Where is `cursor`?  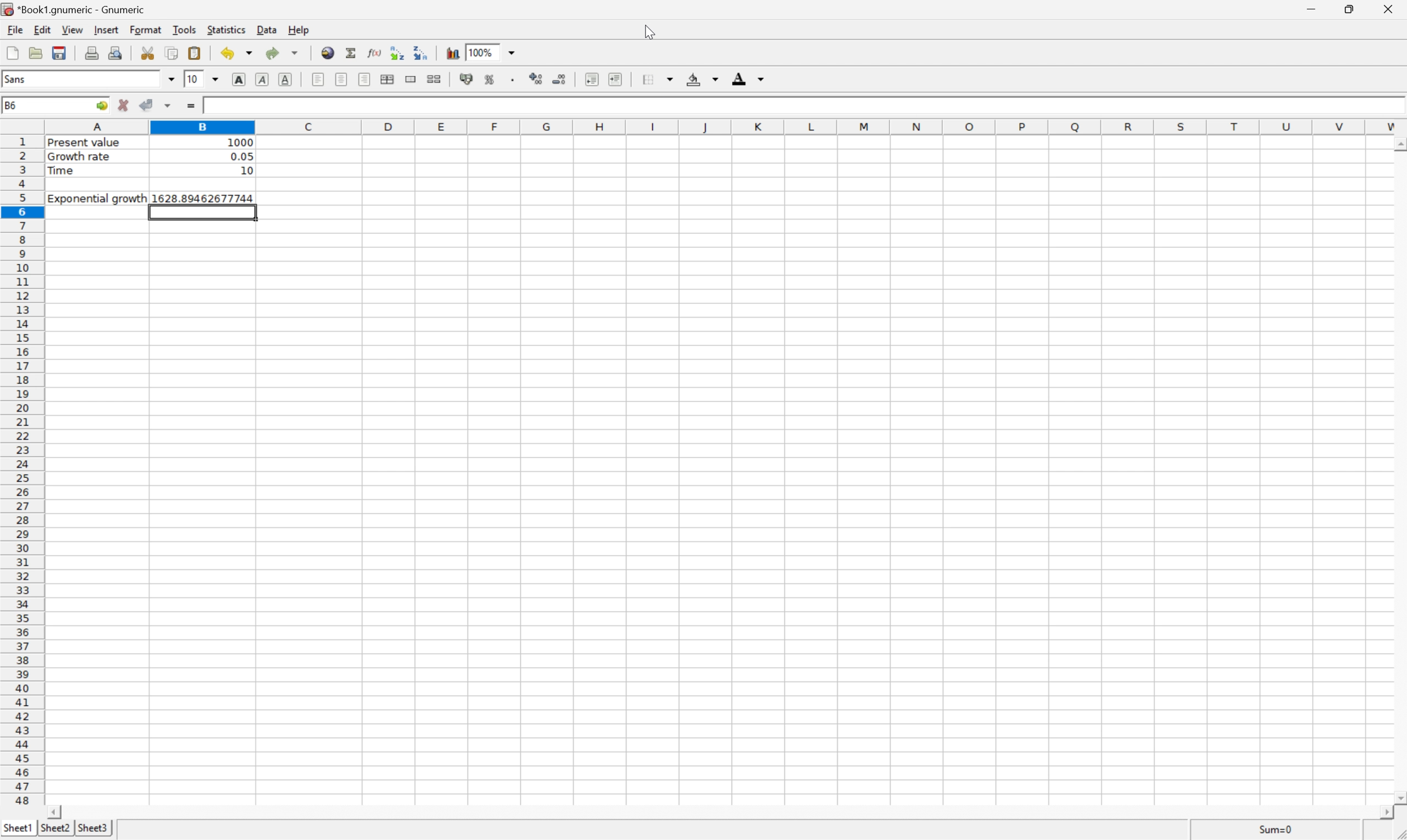
cursor is located at coordinates (651, 33).